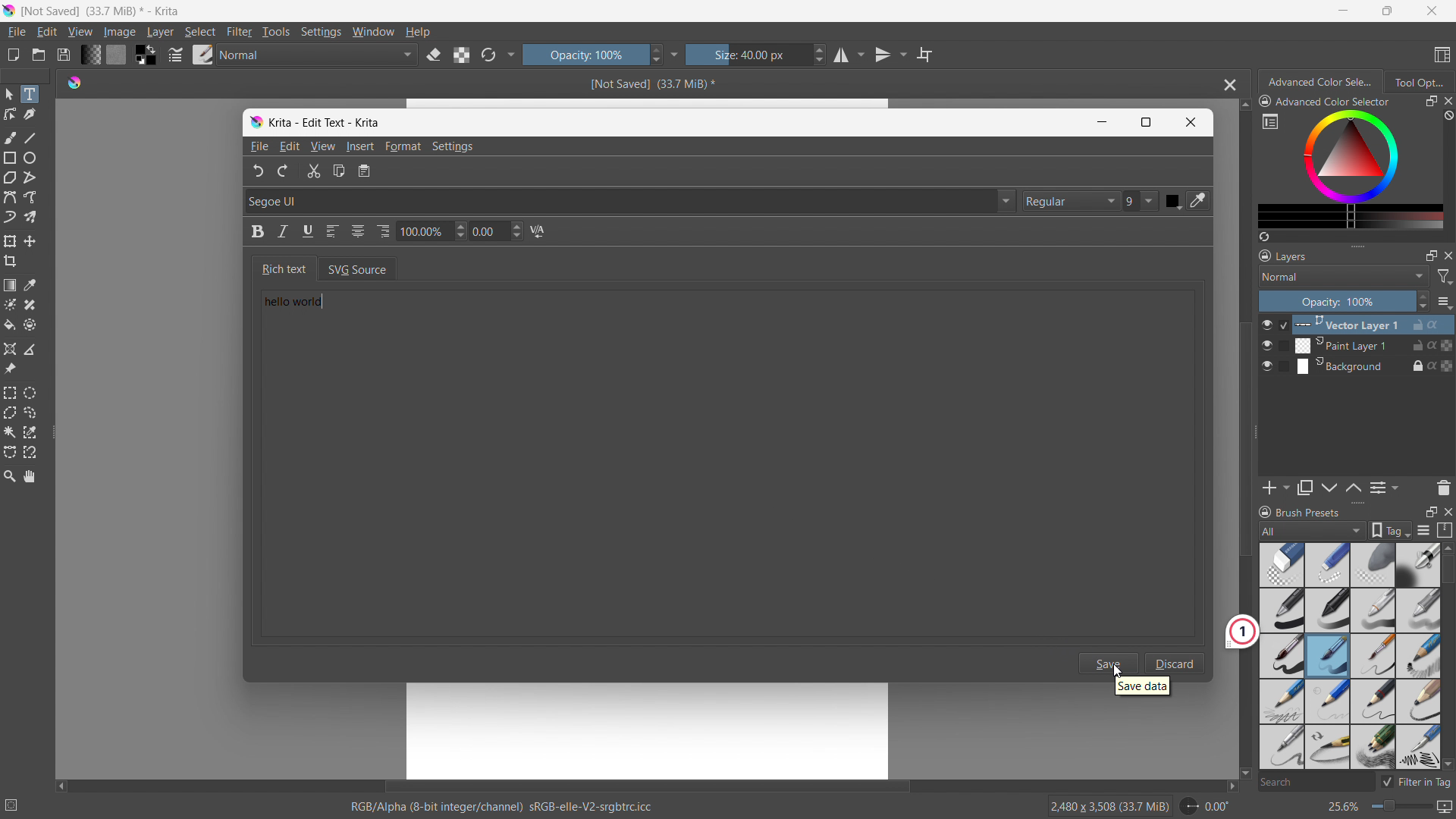  Describe the element at coordinates (1322, 82) in the screenshot. I see `advanced color selection` at that location.